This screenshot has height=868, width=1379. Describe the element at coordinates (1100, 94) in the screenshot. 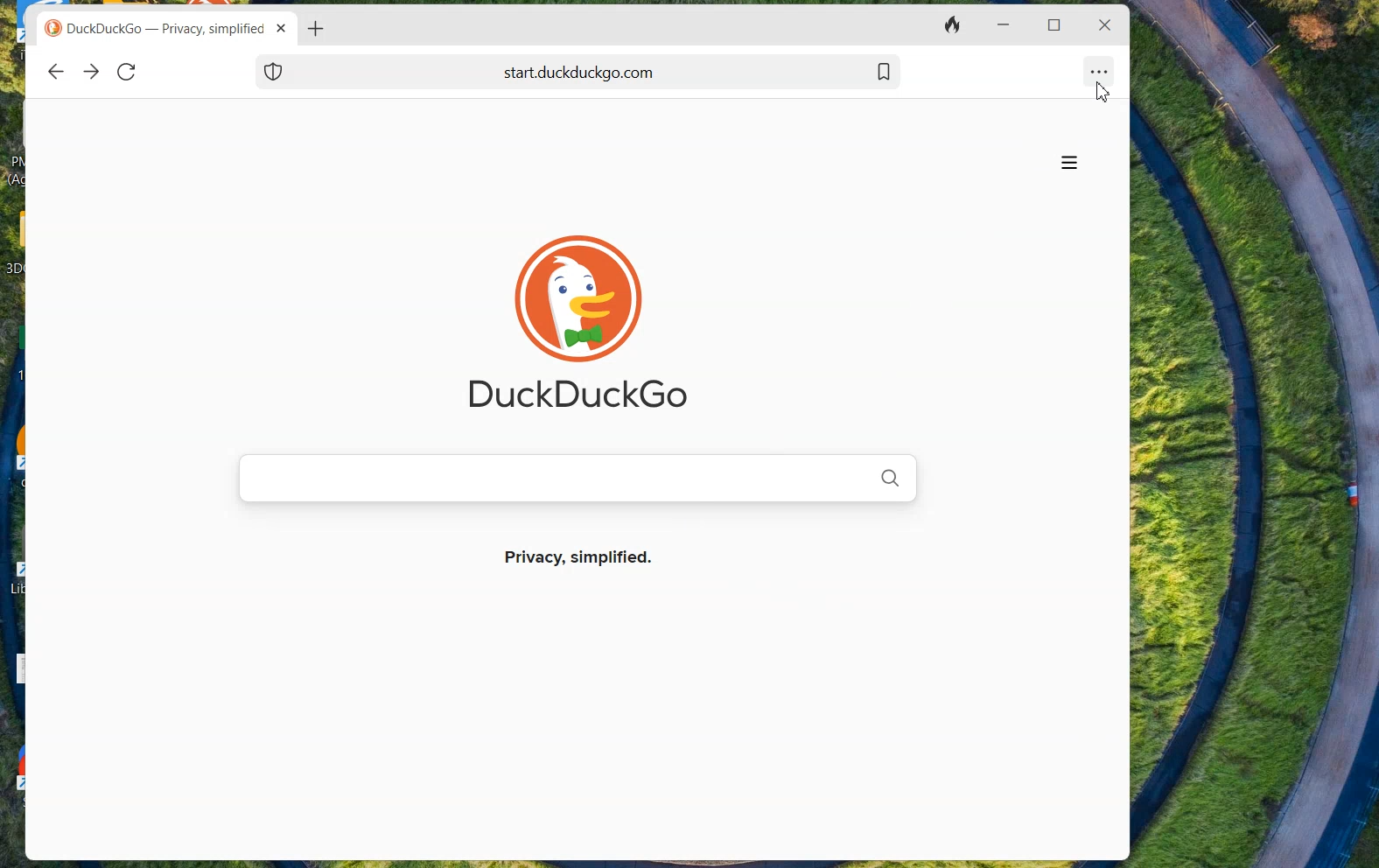

I see `cursor` at that location.